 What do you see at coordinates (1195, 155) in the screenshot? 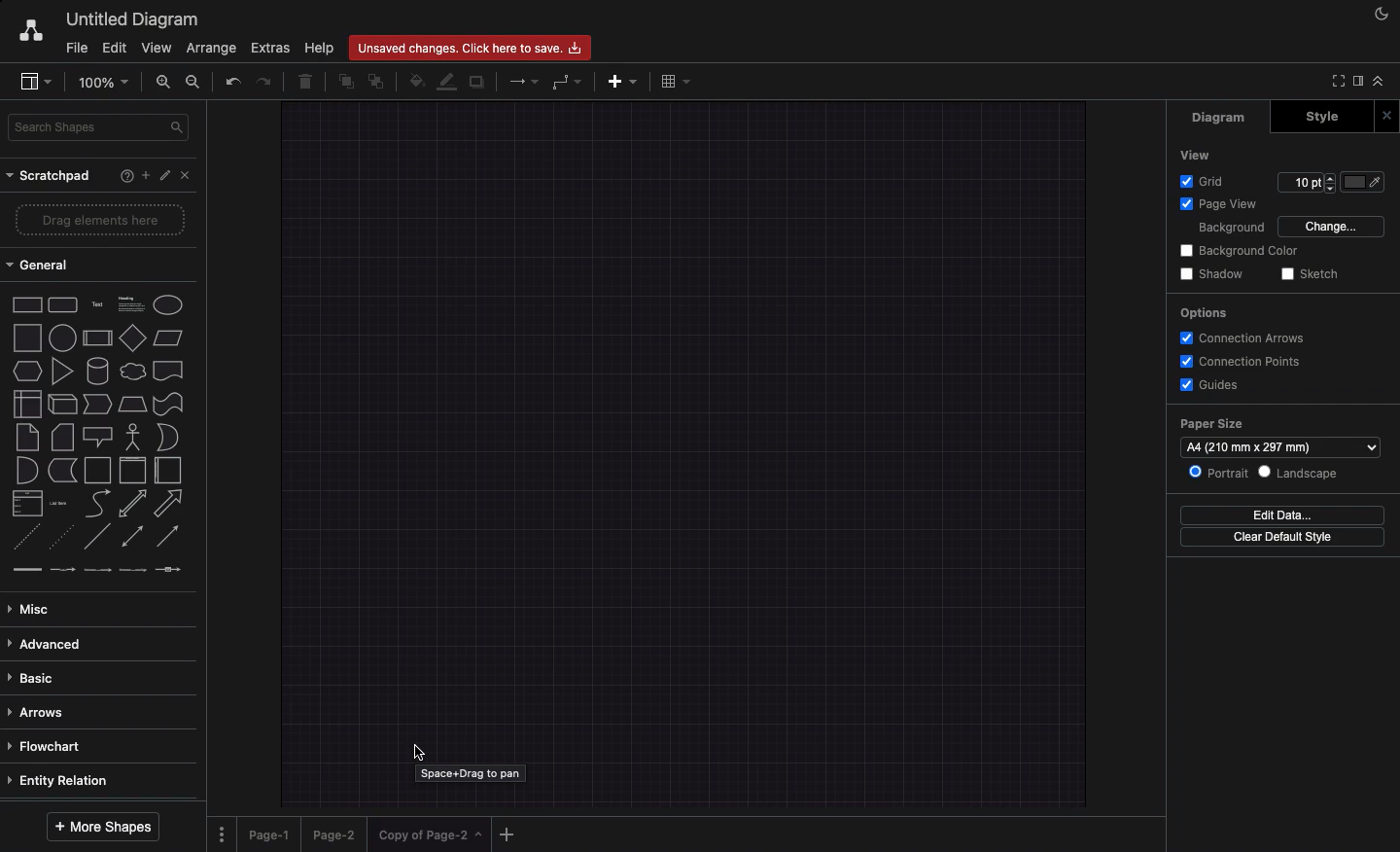
I see `View` at bounding box center [1195, 155].